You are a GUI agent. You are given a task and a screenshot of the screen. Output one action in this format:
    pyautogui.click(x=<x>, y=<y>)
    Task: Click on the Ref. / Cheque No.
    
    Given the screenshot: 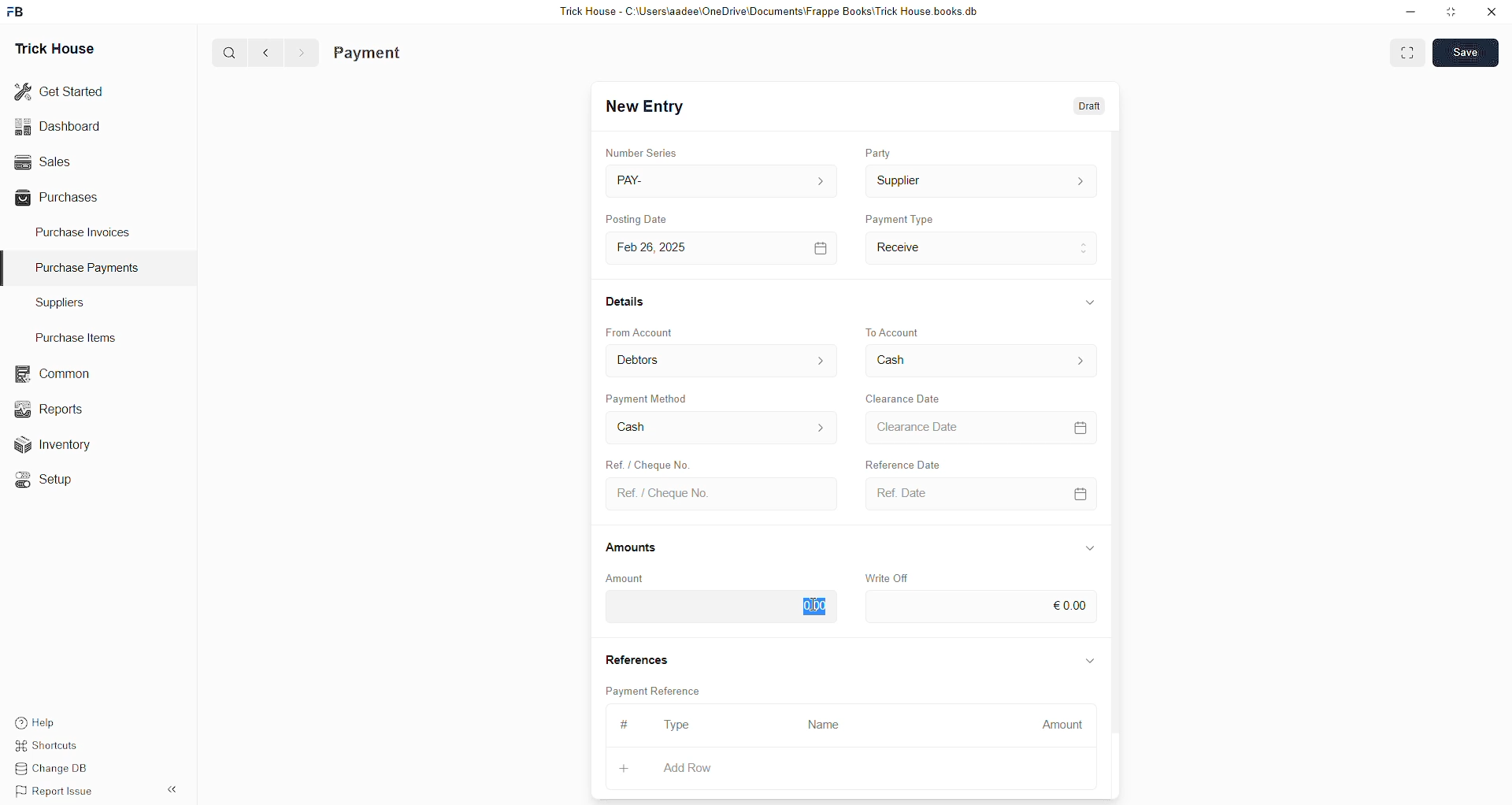 What is the action you would take?
    pyautogui.click(x=719, y=492)
    